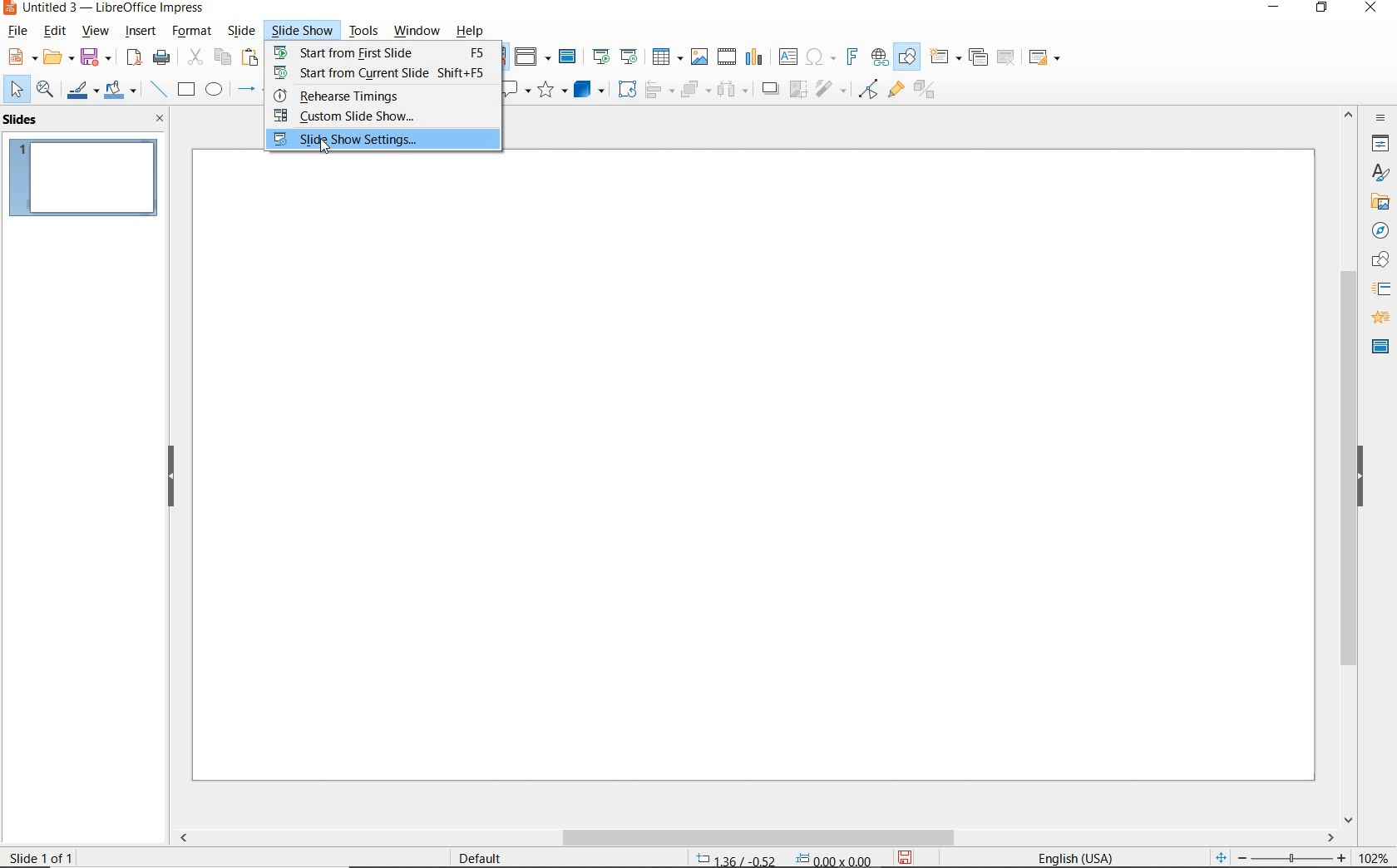 Image resolution: width=1397 pixels, height=868 pixels. What do you see at coordinates (381, 52) in the screenshot?
I see `START FROM FIRST SLIDE` at bounding box center [381, 52].